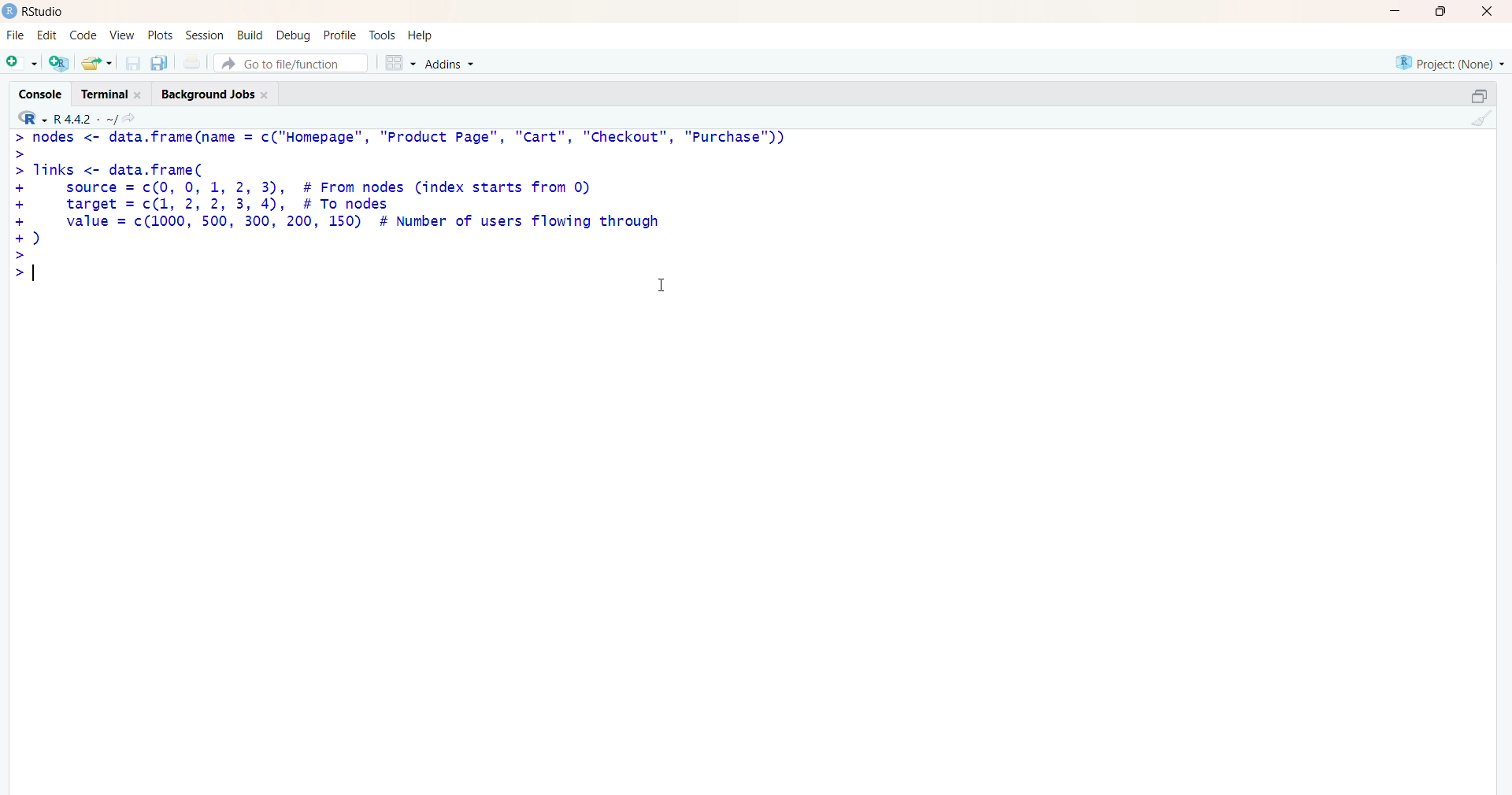  Describe the element at coordinates (1439, 12) in the screenshot. I see `maximize` at that location.